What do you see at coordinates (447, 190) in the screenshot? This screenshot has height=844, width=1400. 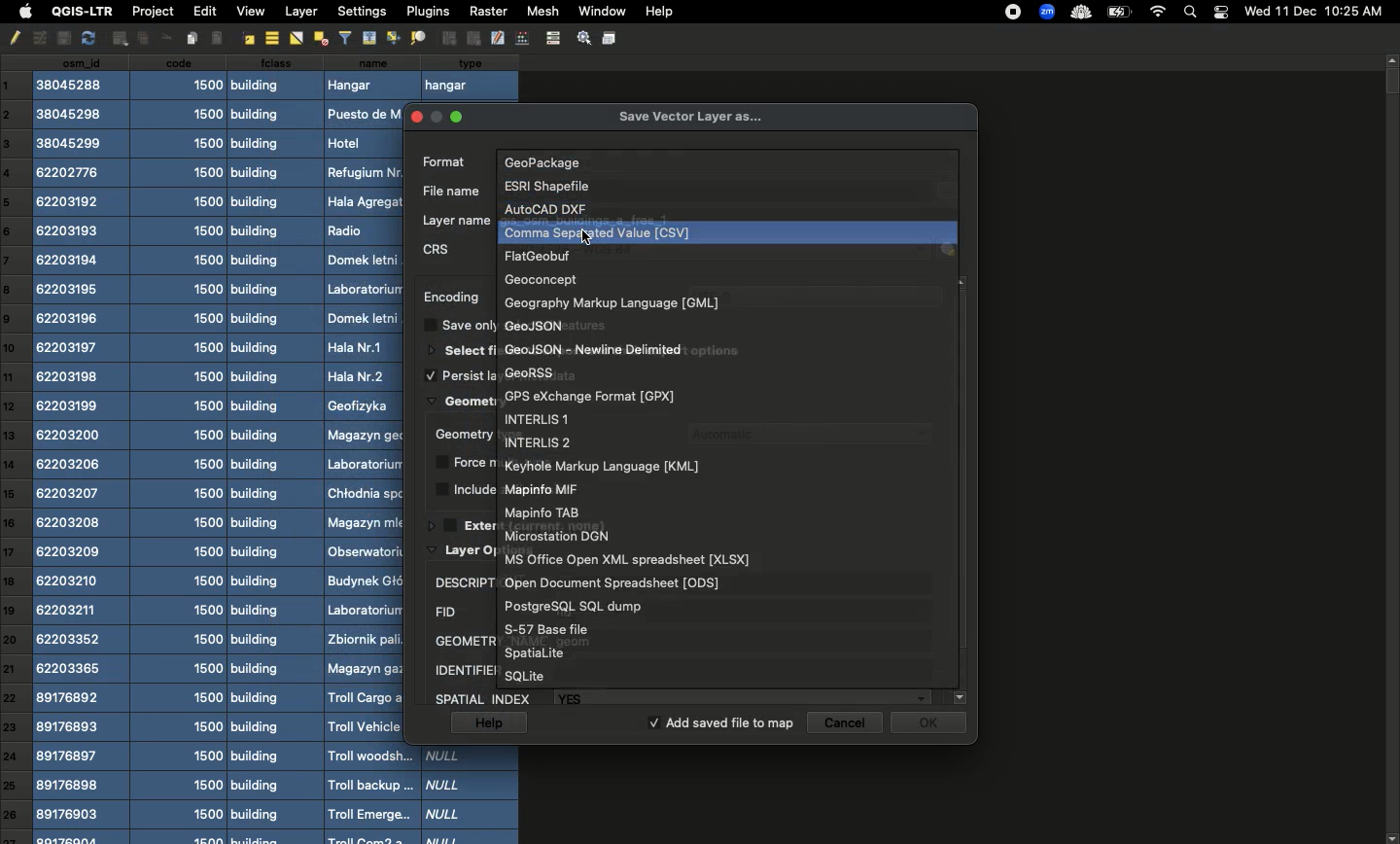 I see `File name` at bounding box center [447, 190].